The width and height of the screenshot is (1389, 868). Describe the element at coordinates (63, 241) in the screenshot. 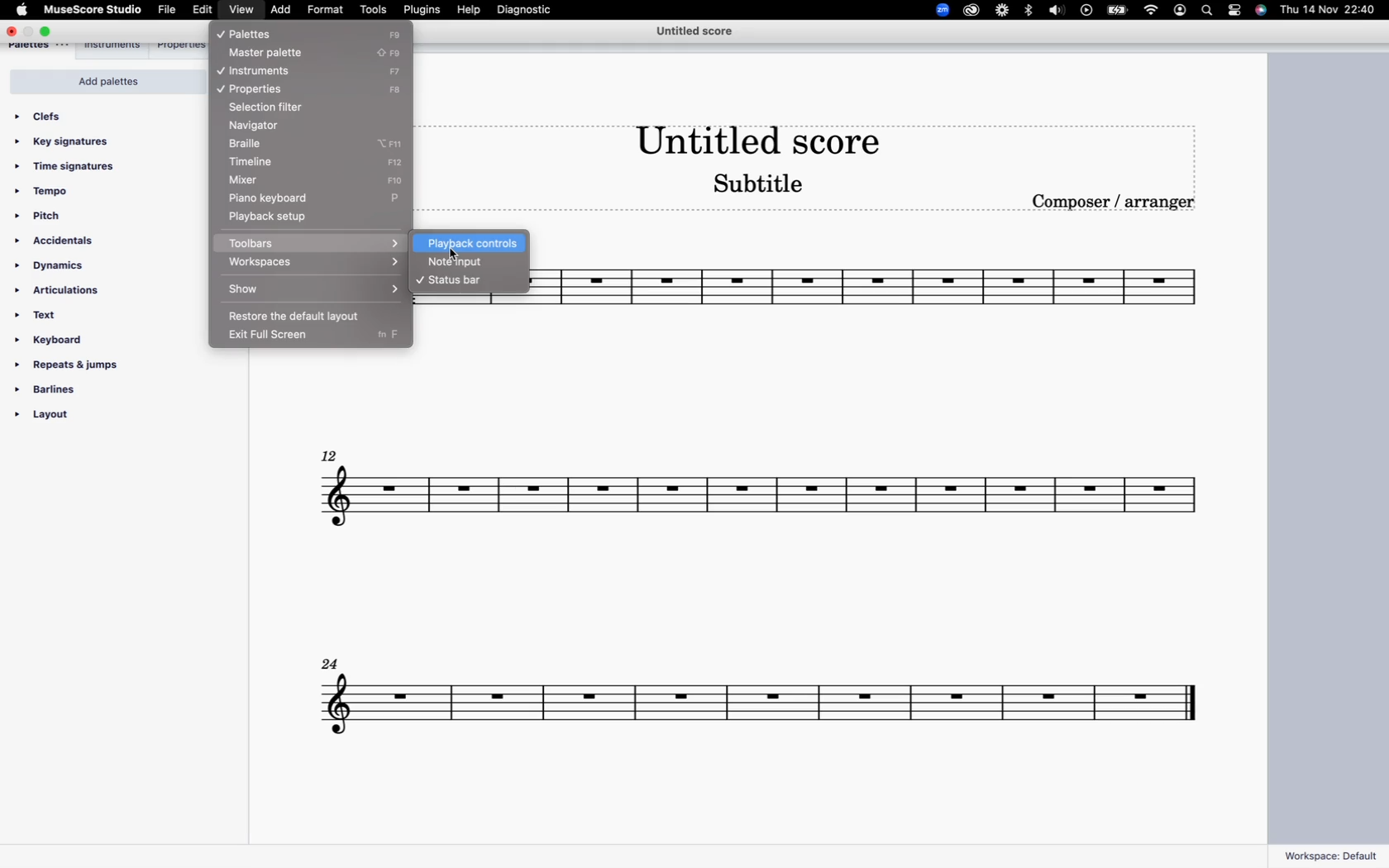

I see `accidentals` at that location.